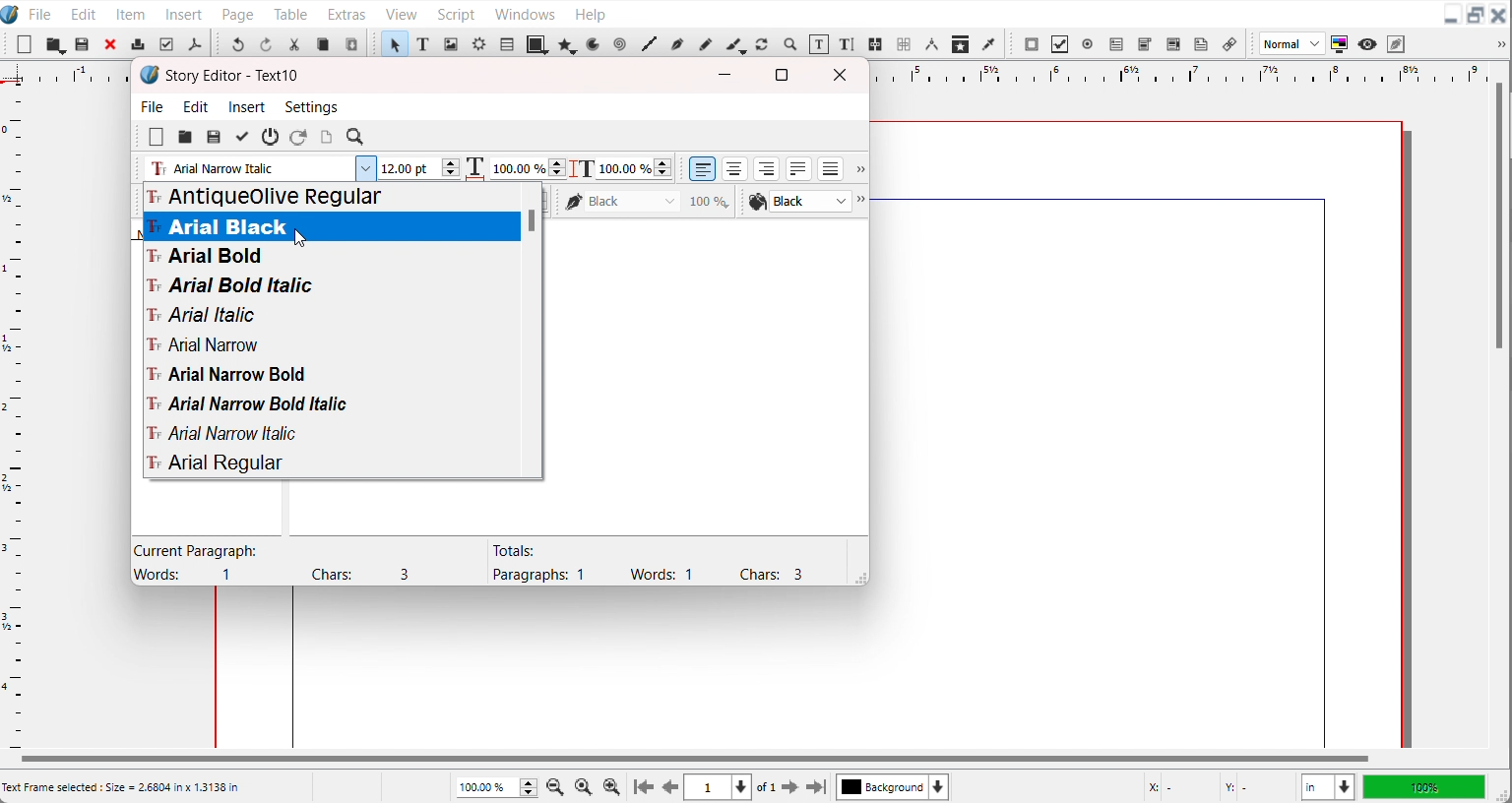 The height and width of the screenshot is (803, 1512). Describe the element at coordinates (184, 138) in the screenshot. I see `open` at that location.